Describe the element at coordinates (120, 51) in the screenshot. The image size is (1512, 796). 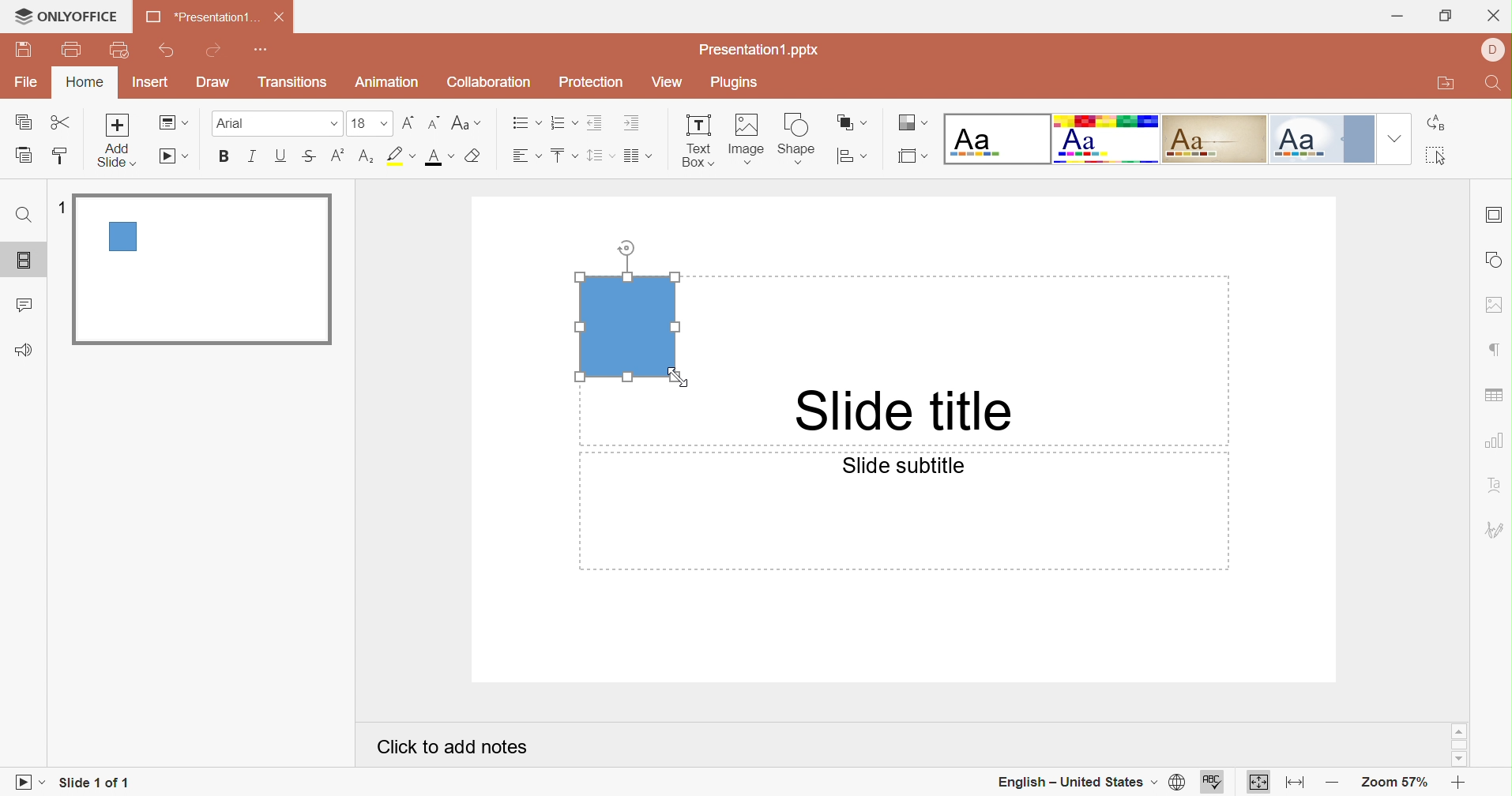
I see `Quick print` at that location.